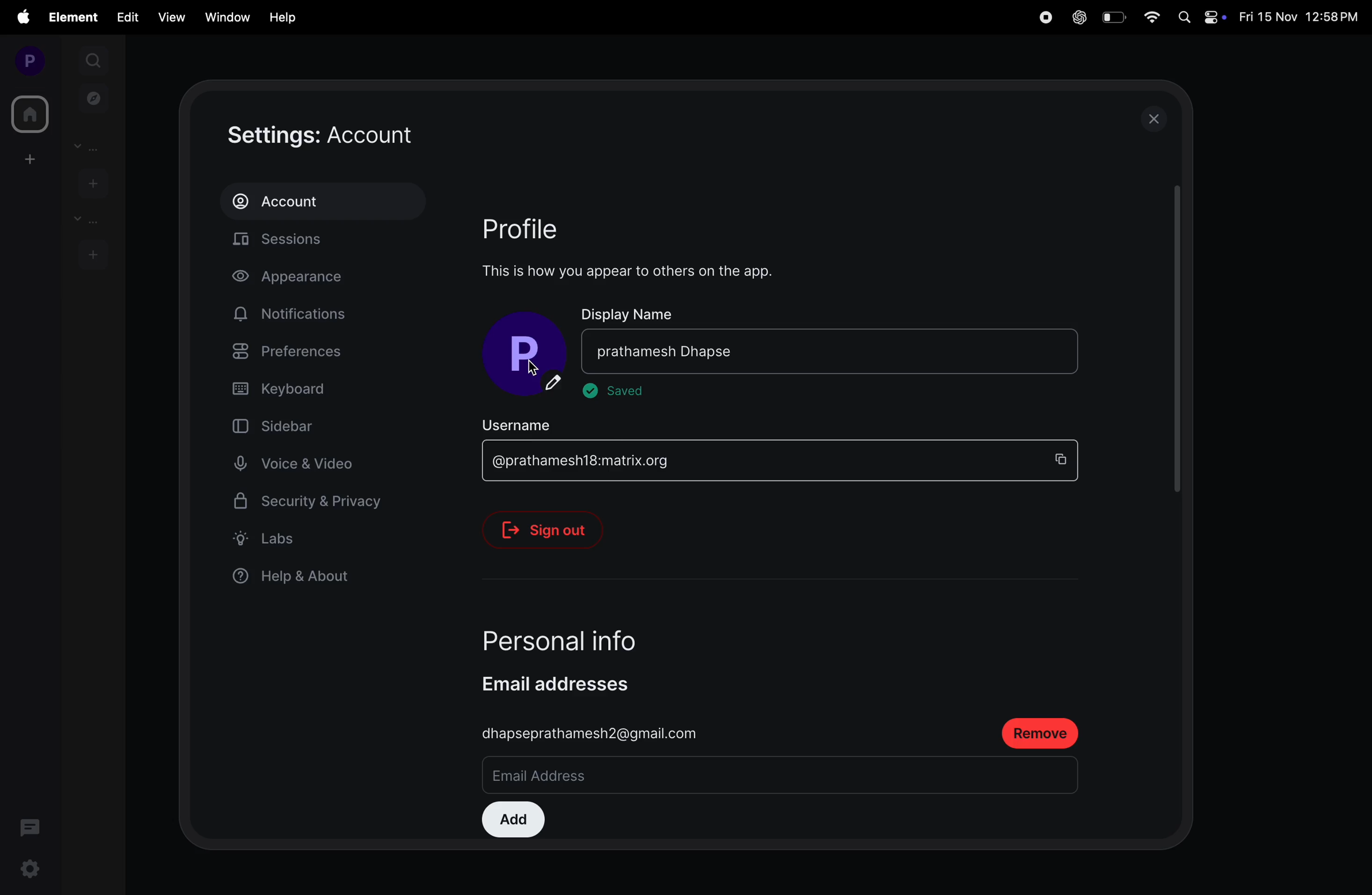 Image resolution: width=1372 pixels, height=895 pixels. I want to click on people, so click(91, 146).